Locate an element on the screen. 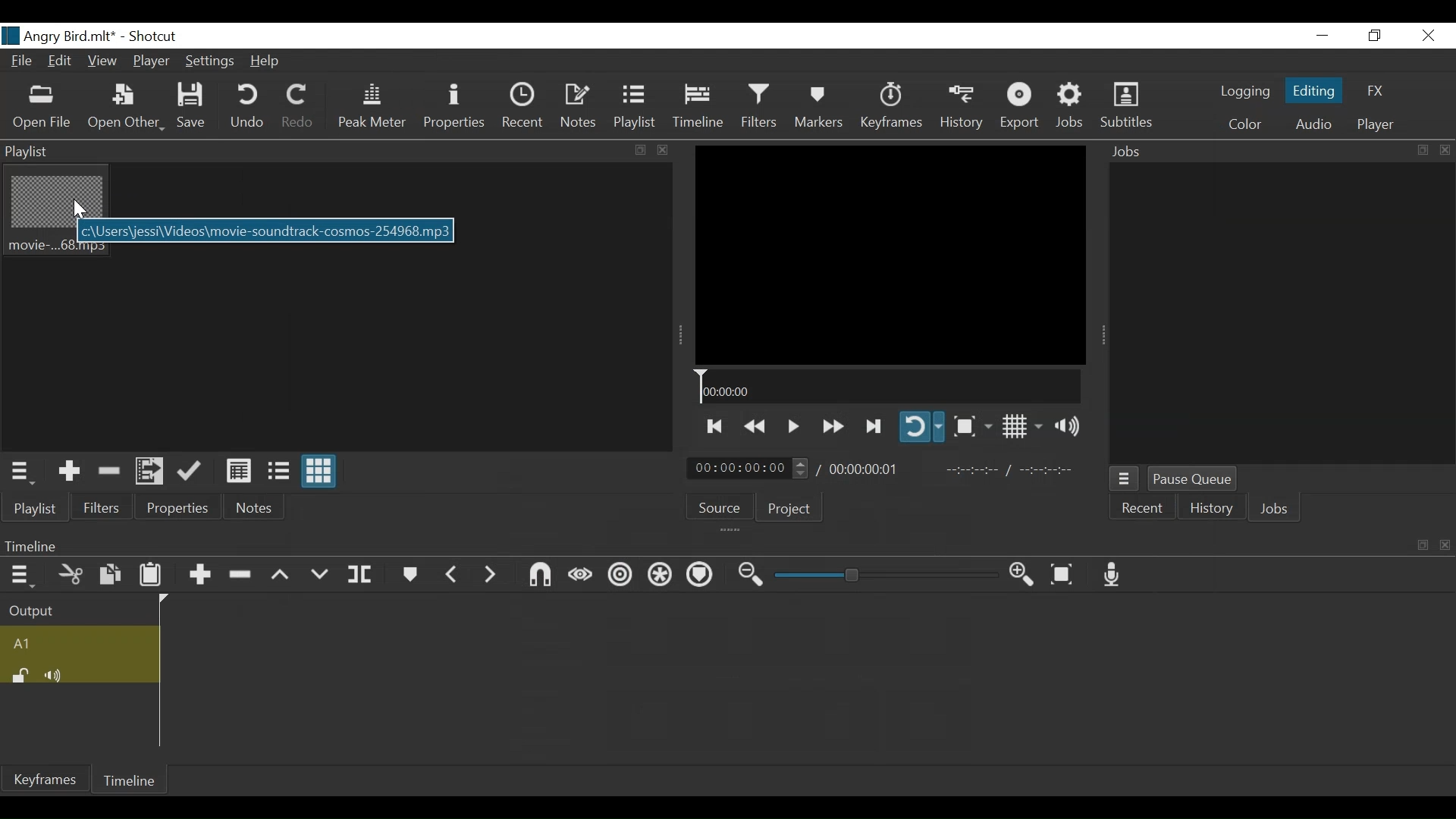 This screenshot has height=819, width=1456. History is located at coordinates (961, 107).